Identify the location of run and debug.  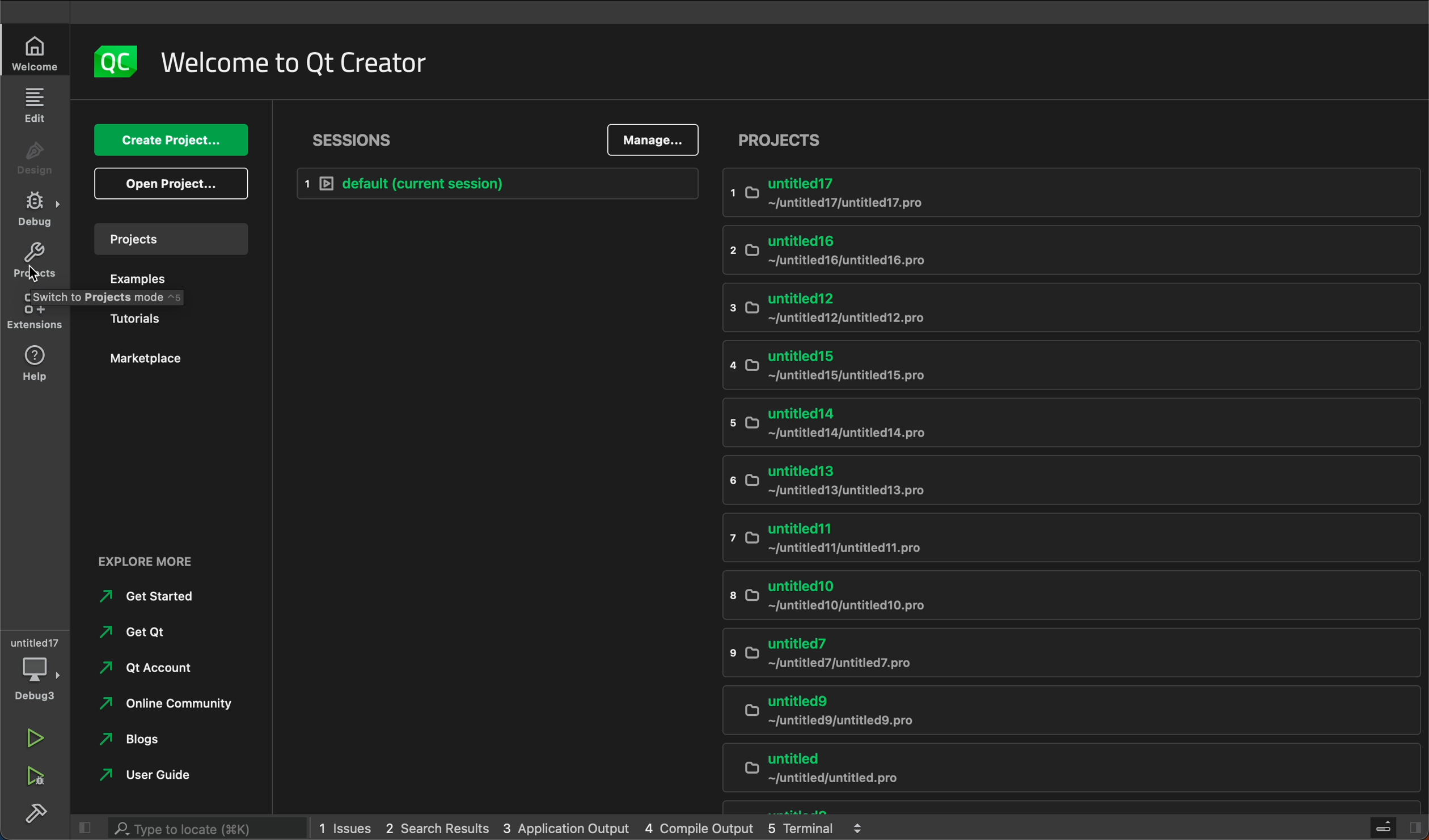
(38, 779).